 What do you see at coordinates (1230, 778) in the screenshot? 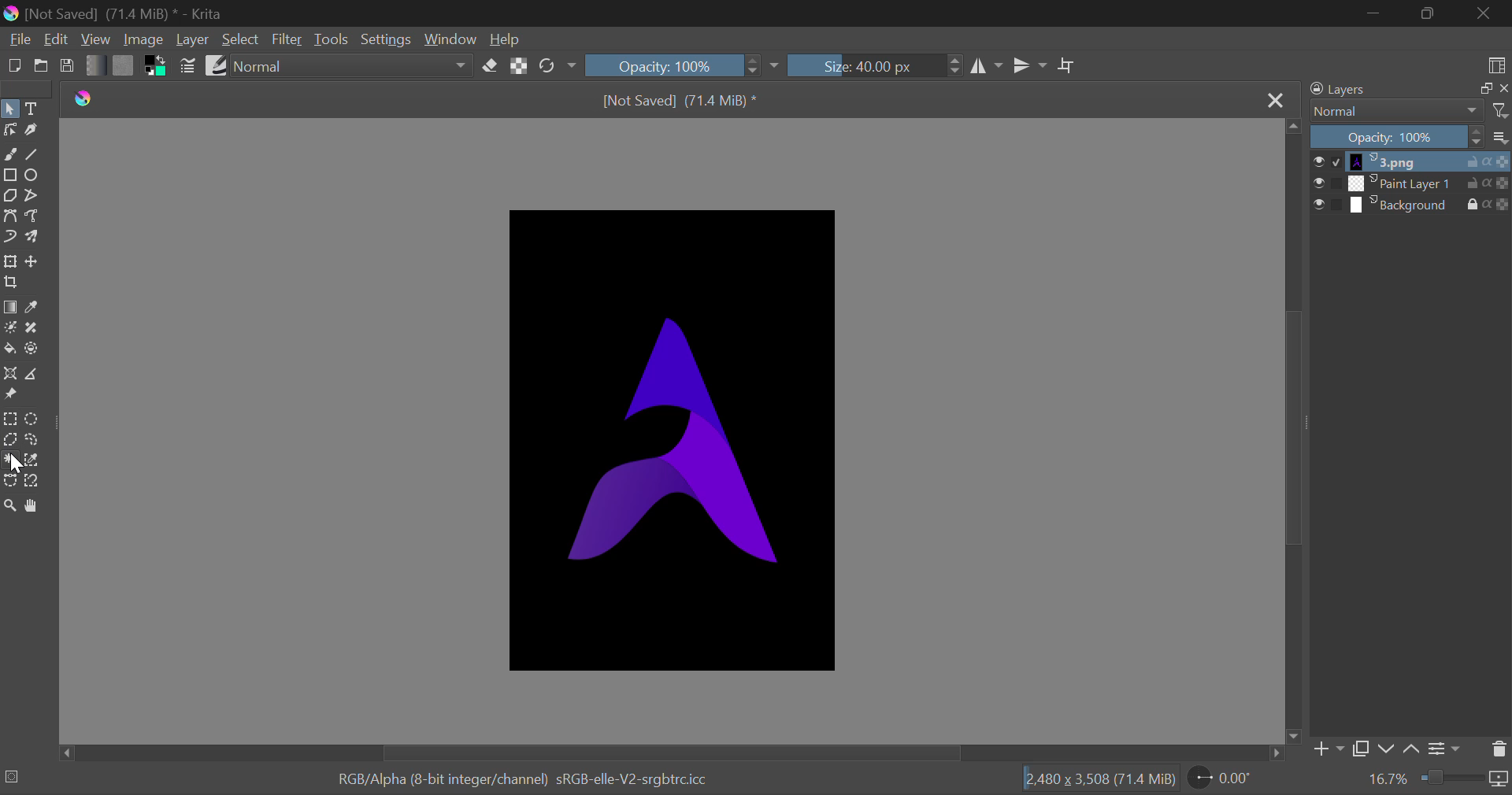
I see `Page Rotation` at bounding box center [1230, 778].